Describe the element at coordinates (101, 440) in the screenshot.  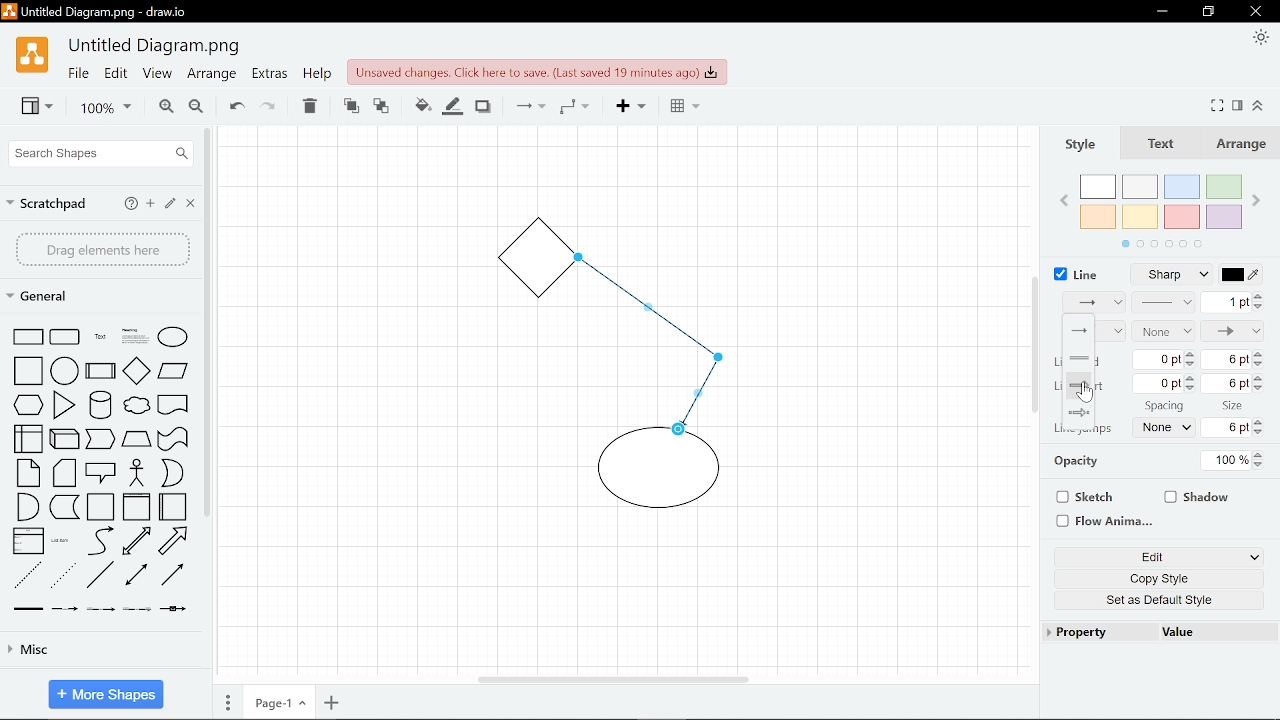
I see `shape` at that location.